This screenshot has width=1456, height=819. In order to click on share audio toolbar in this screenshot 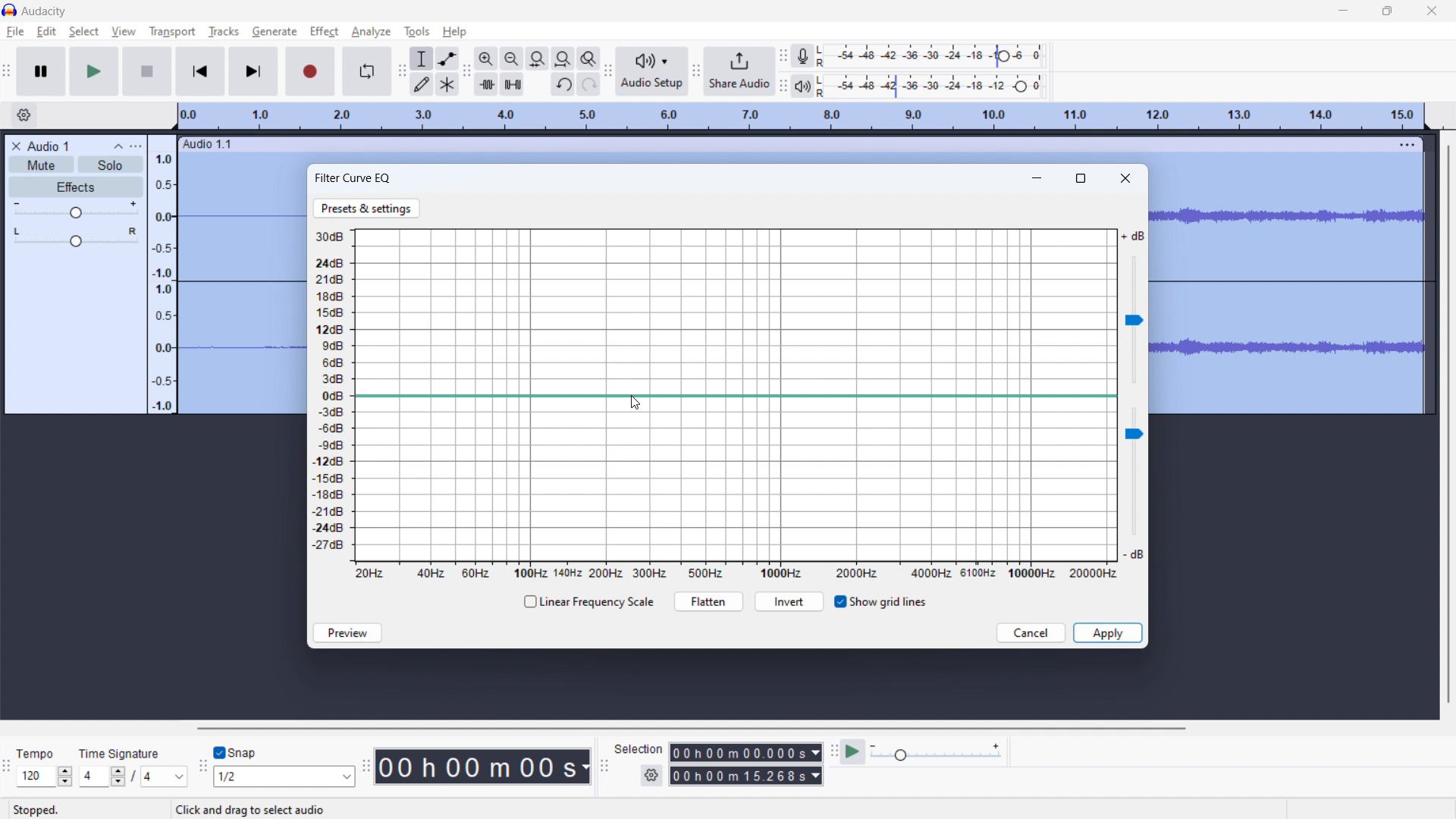, I will do `click(697, 71)`.